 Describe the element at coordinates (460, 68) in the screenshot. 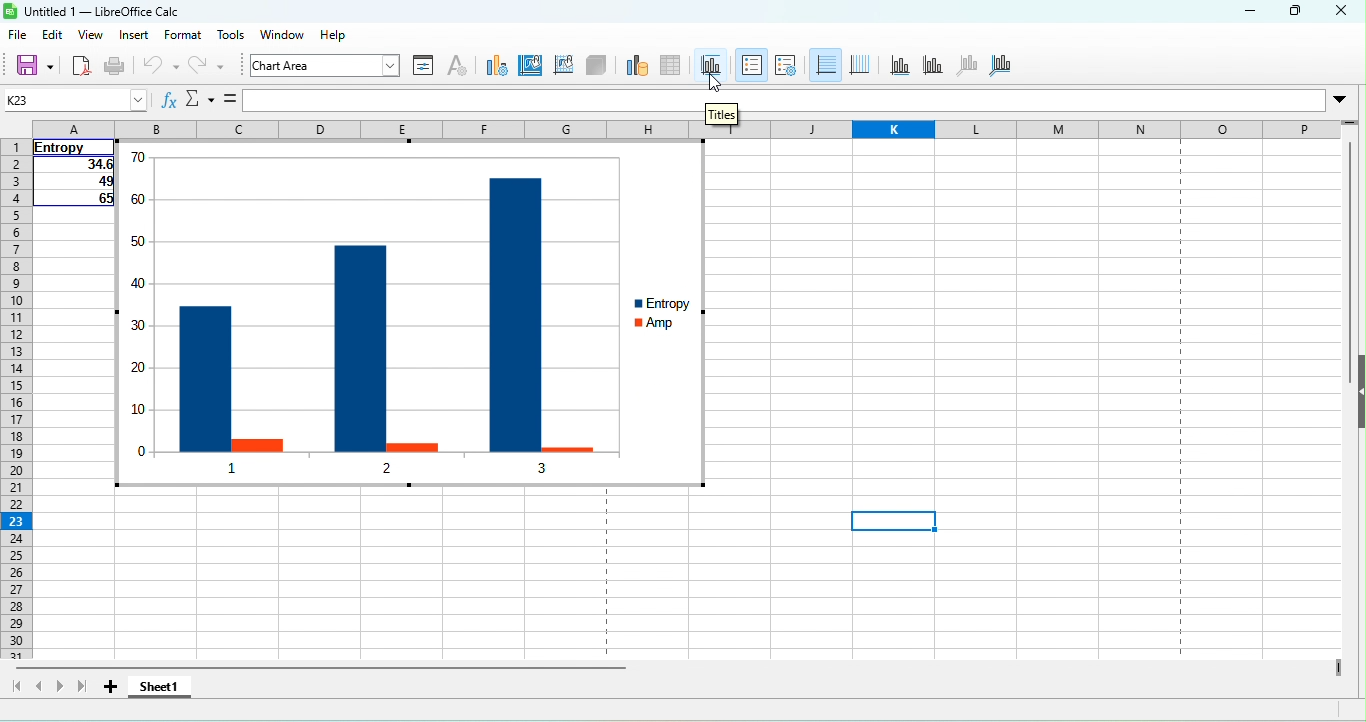

I see `character` at that location.